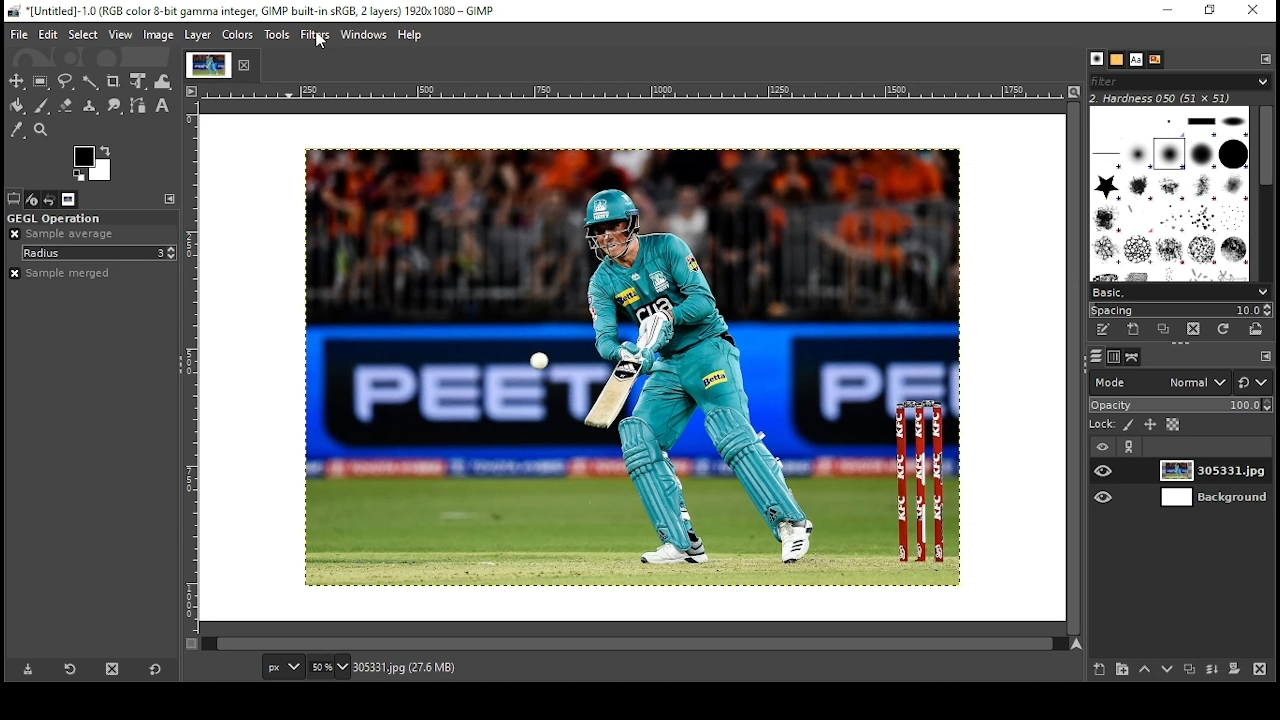 This screenshot has width=1280, height=720. I want to click on layer on/off, so click(1106, 473).